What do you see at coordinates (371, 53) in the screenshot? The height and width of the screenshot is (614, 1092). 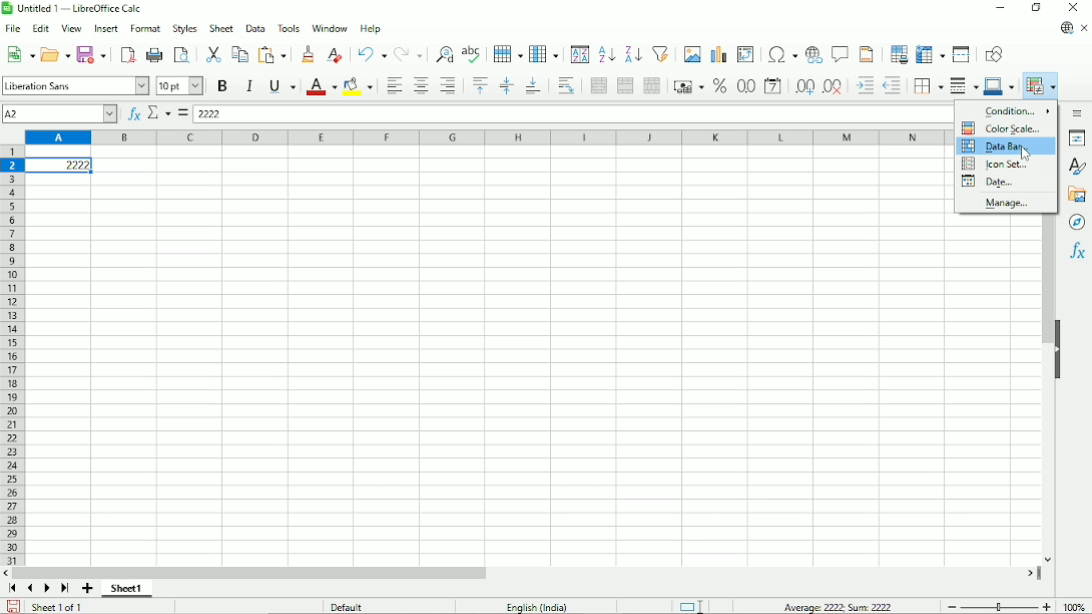 I see `Undo` at bounding box center [371, 53].